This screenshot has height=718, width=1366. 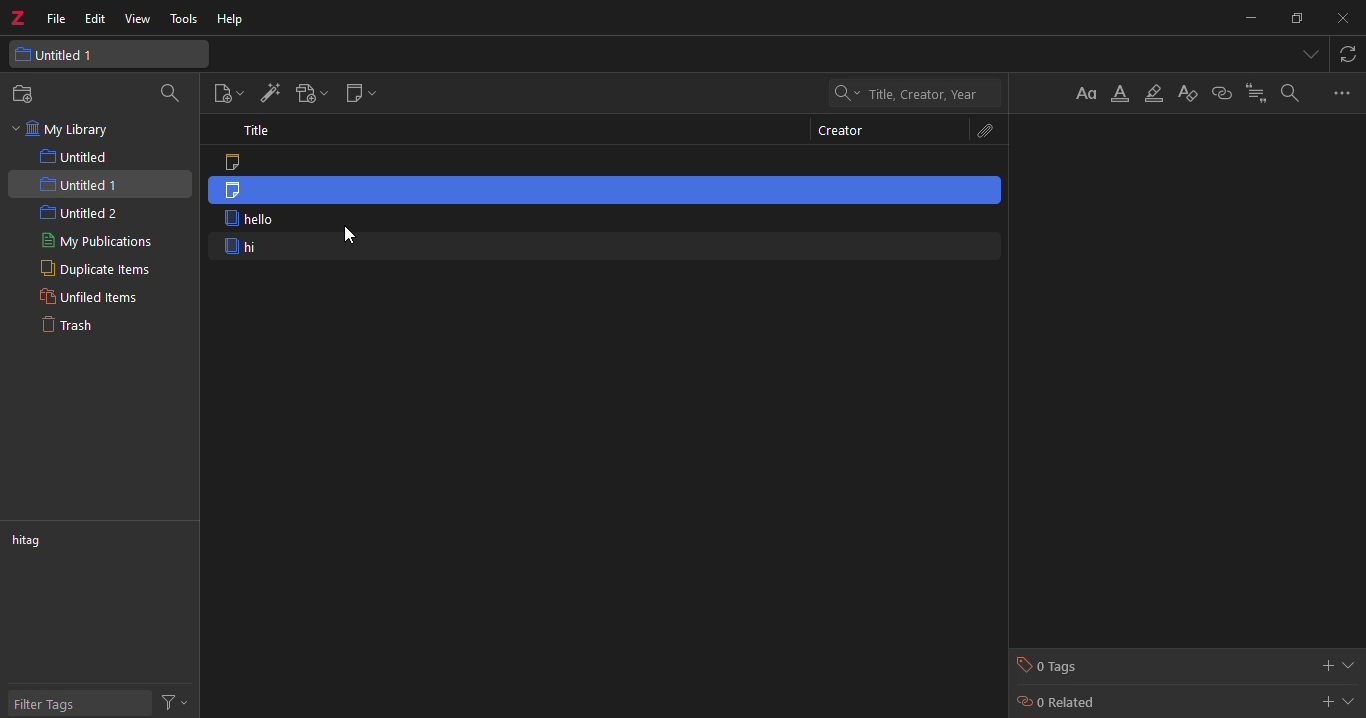 What do you see at coordinates (360, 93) in the screenshot?
I see `new note` at bounding box center [360, 93].